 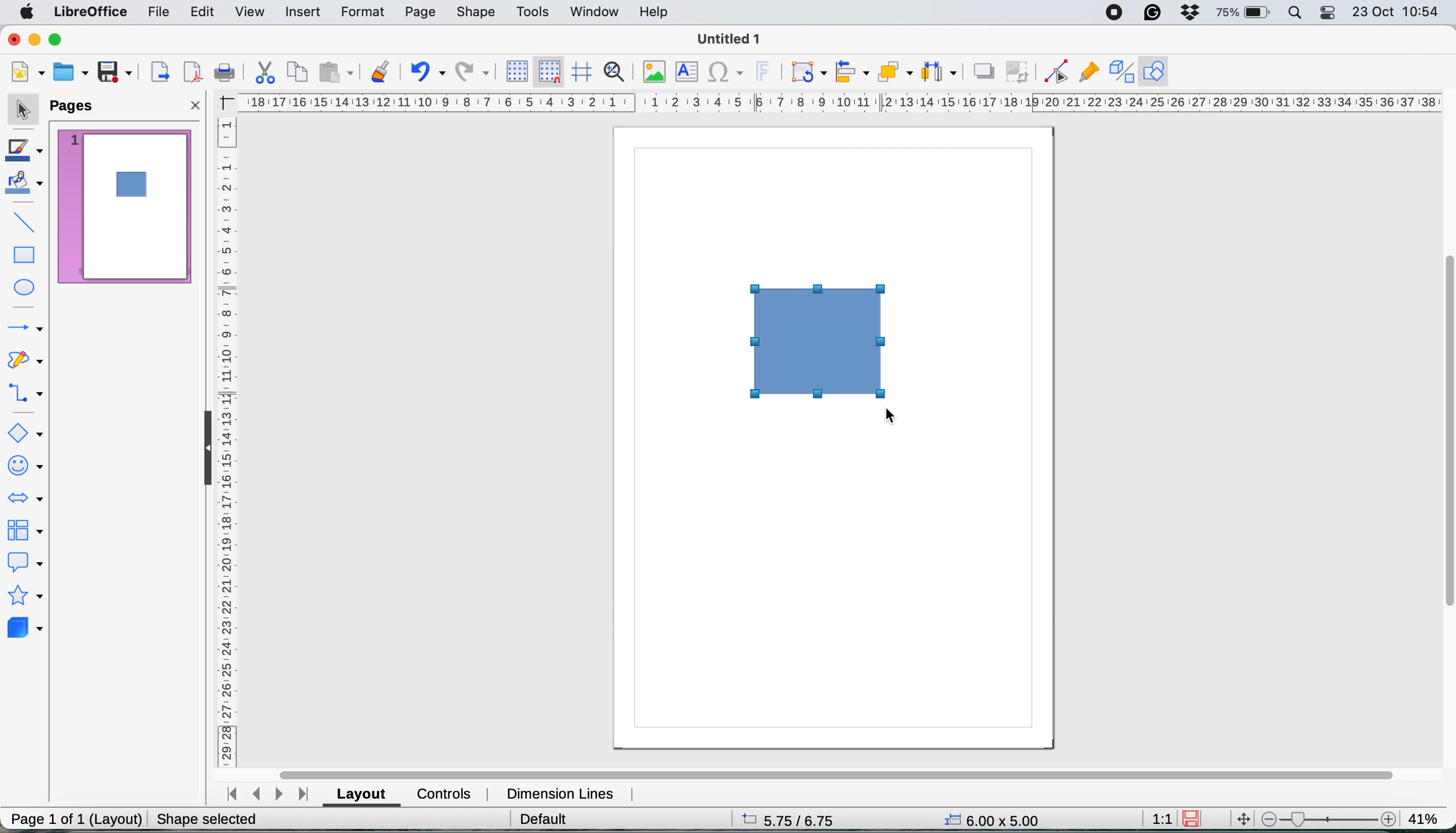 I want to click on battery, so click(x=1245, y=13).